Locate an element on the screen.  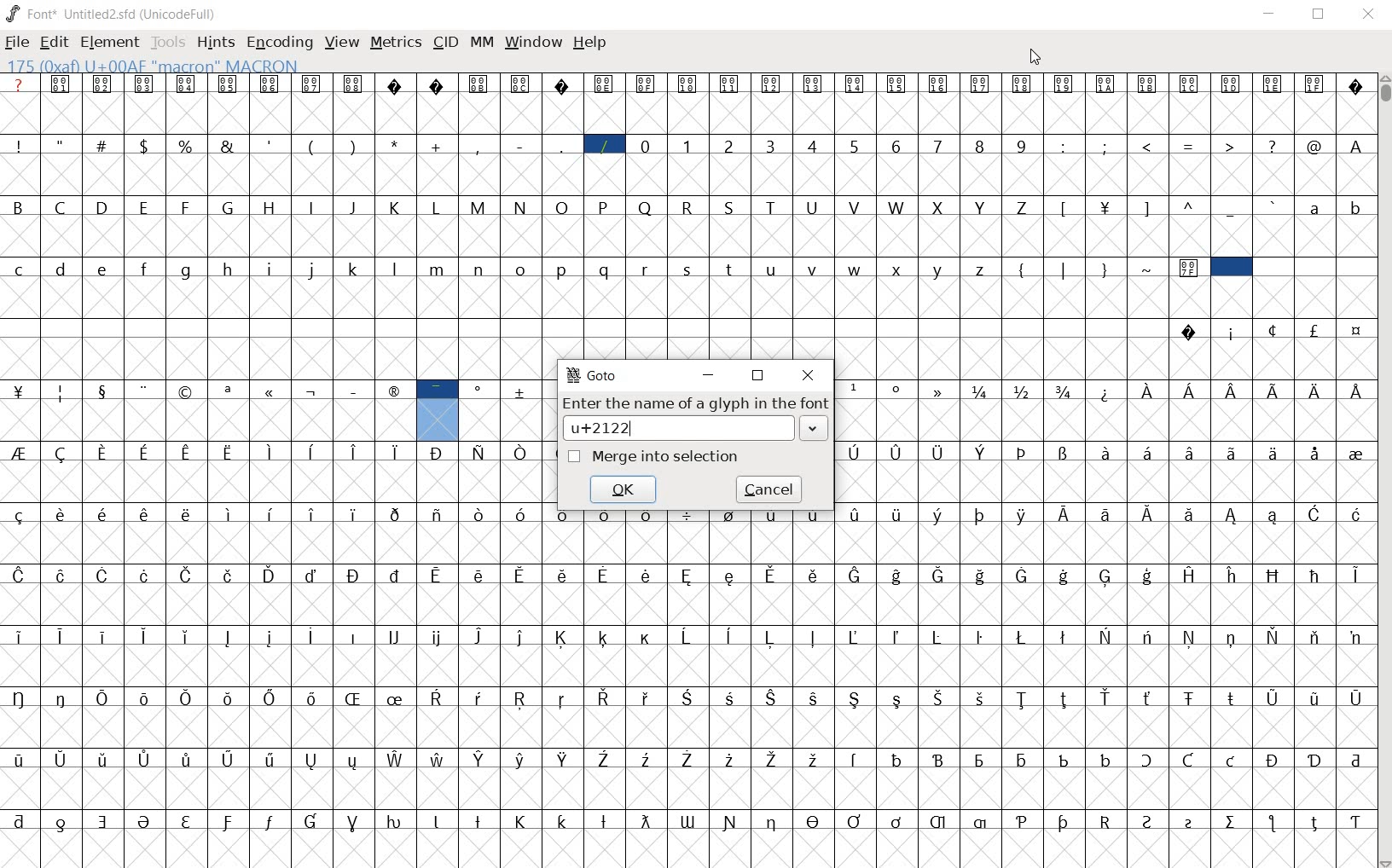
special characters is located at coordinates (1064, 223).